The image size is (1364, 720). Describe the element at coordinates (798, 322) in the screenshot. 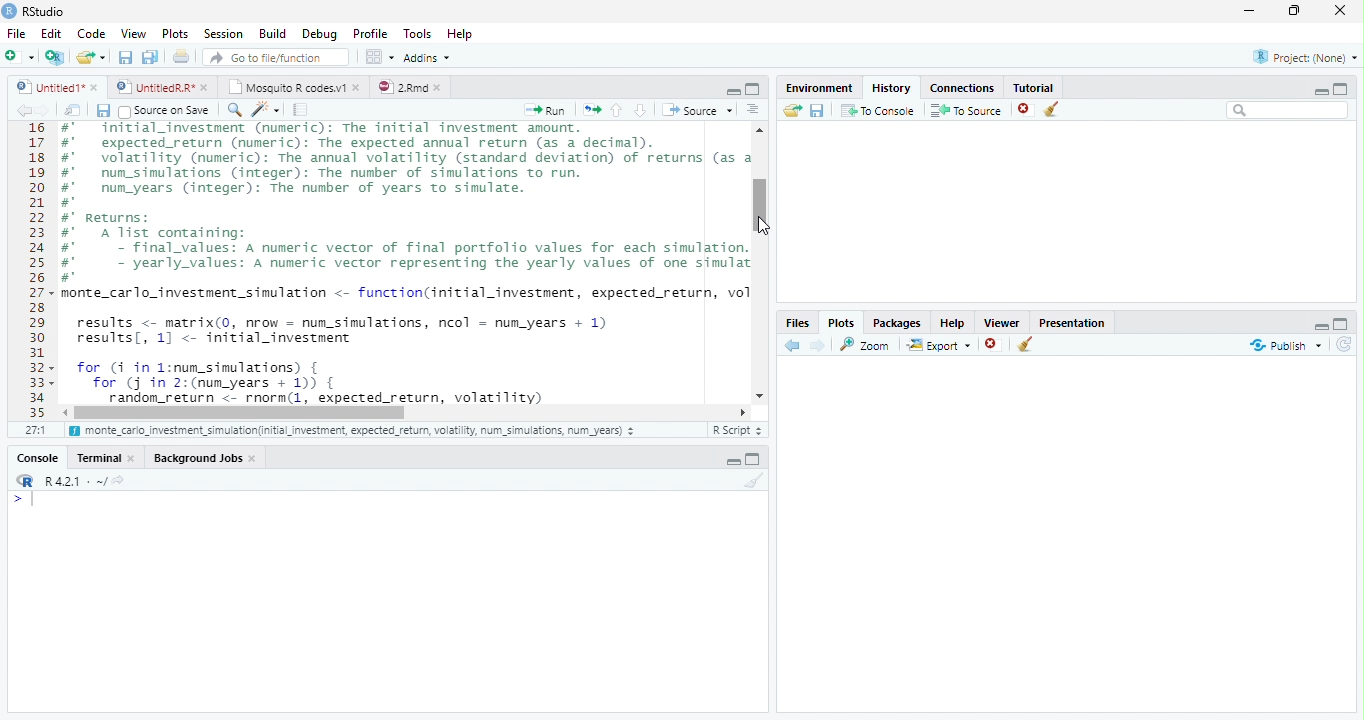

I see `Files` at that location.